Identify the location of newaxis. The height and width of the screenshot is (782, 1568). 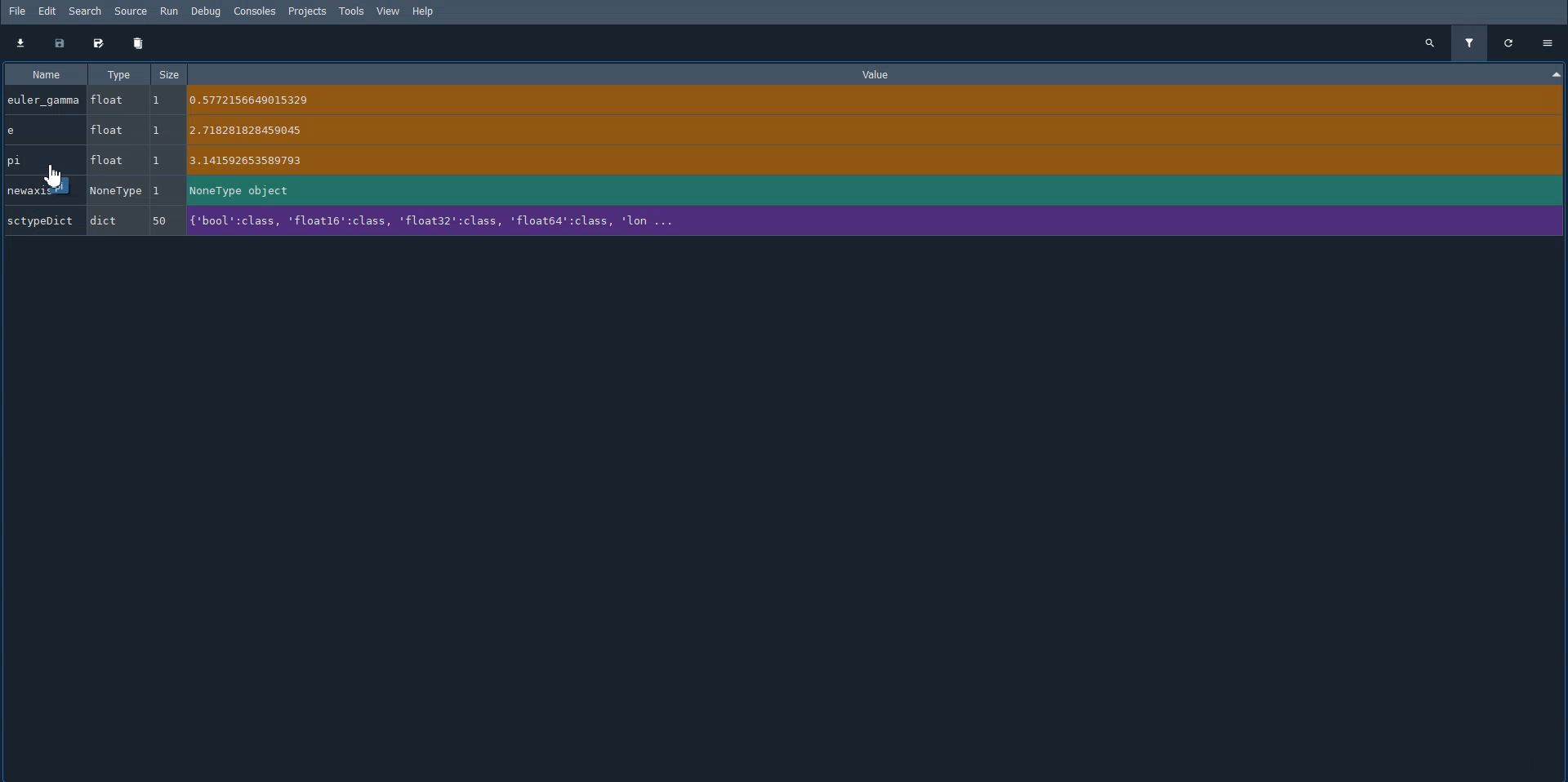
(784, 190).